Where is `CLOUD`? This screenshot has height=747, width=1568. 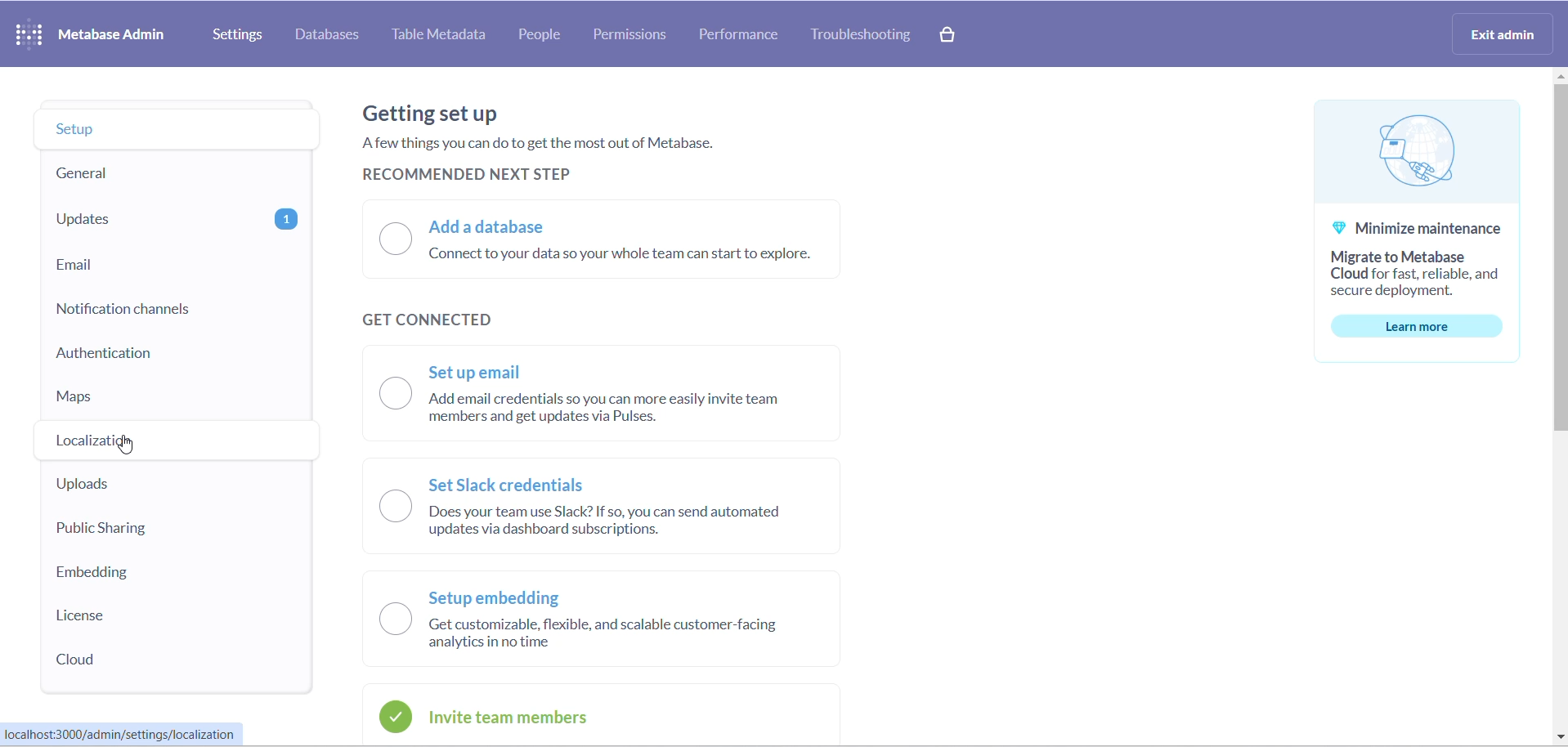
CLOUD is located at coordinates (132, 660).